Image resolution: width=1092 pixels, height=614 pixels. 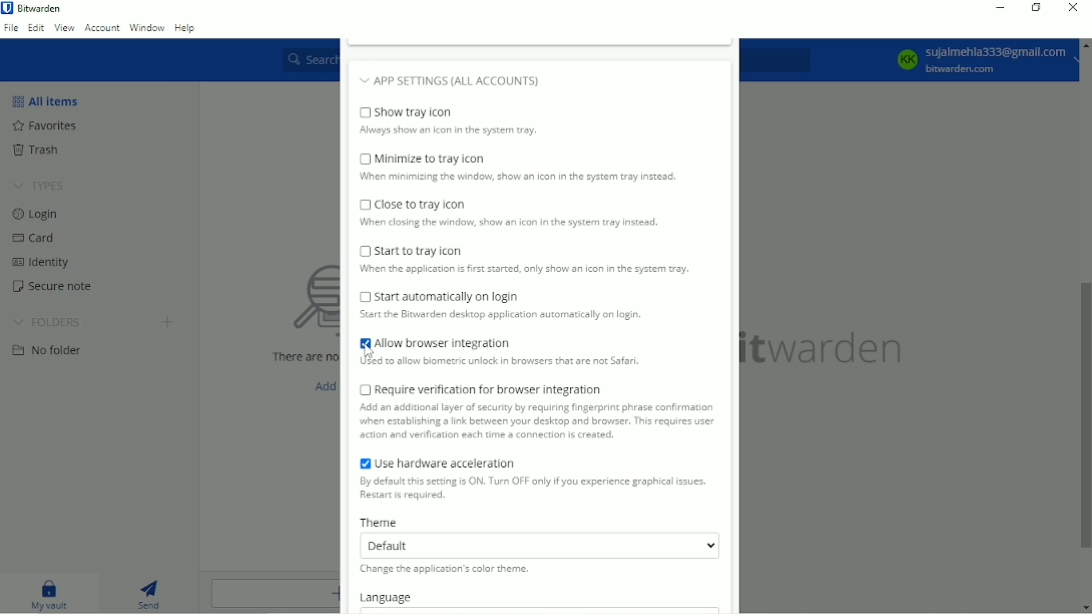 What do you see at coordinates (447, 571) in the screenshot?
I see `Change the application's color theme.` at bounding box center [447, 571].